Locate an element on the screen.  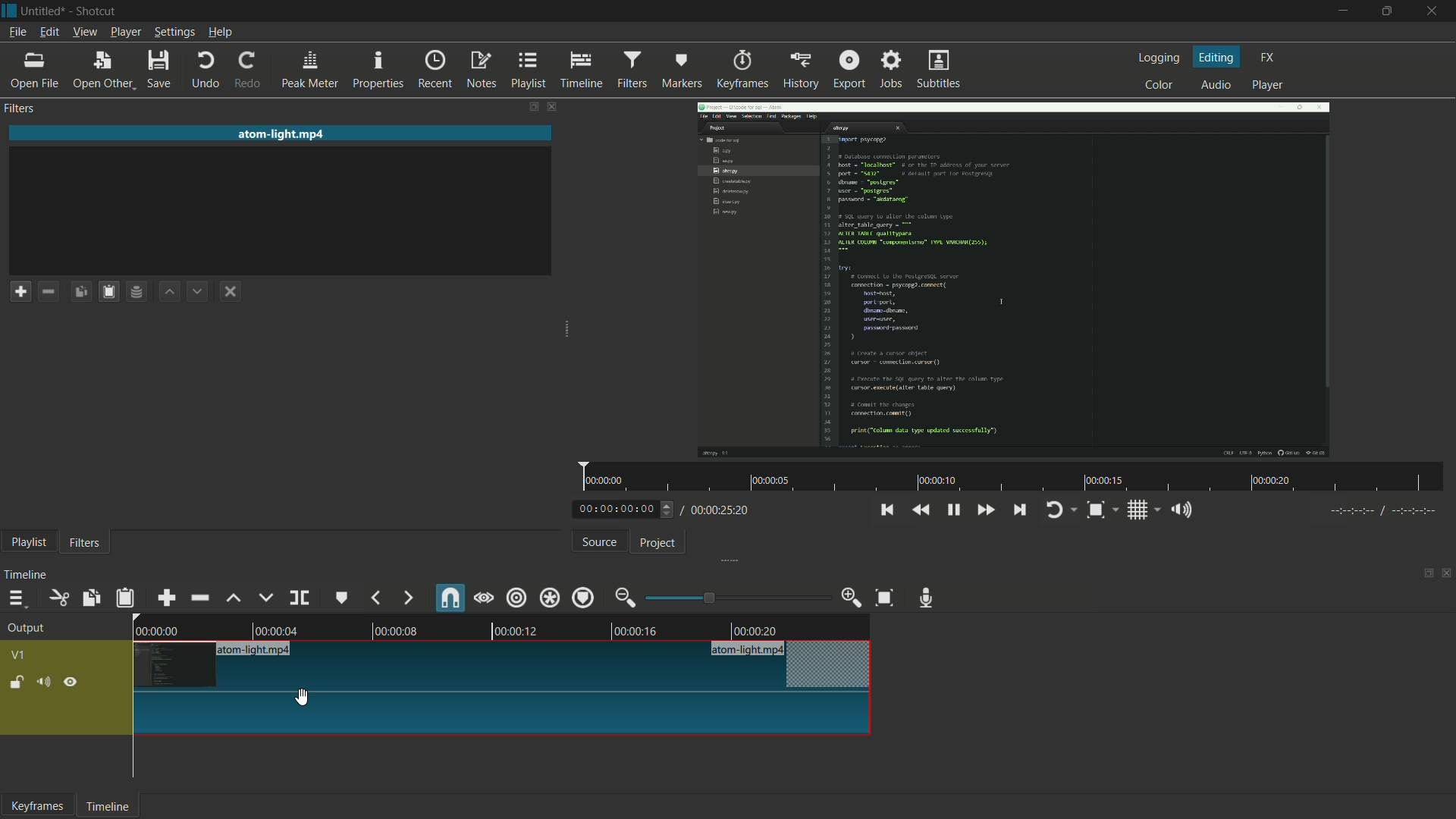
imported file name is located at coordinates (281, 134).